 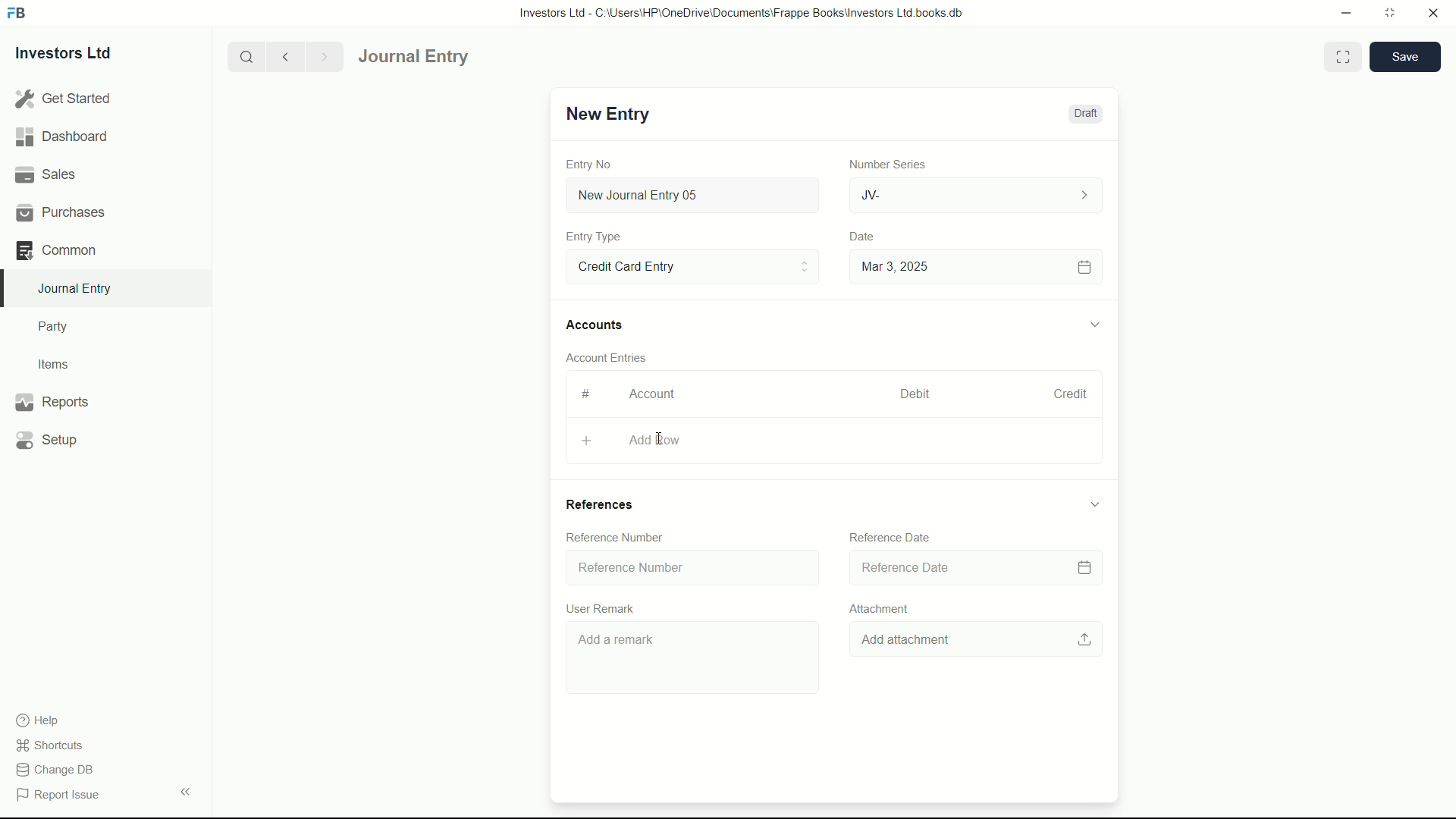 I want to click on minimize, so click(x=1342, y=11).